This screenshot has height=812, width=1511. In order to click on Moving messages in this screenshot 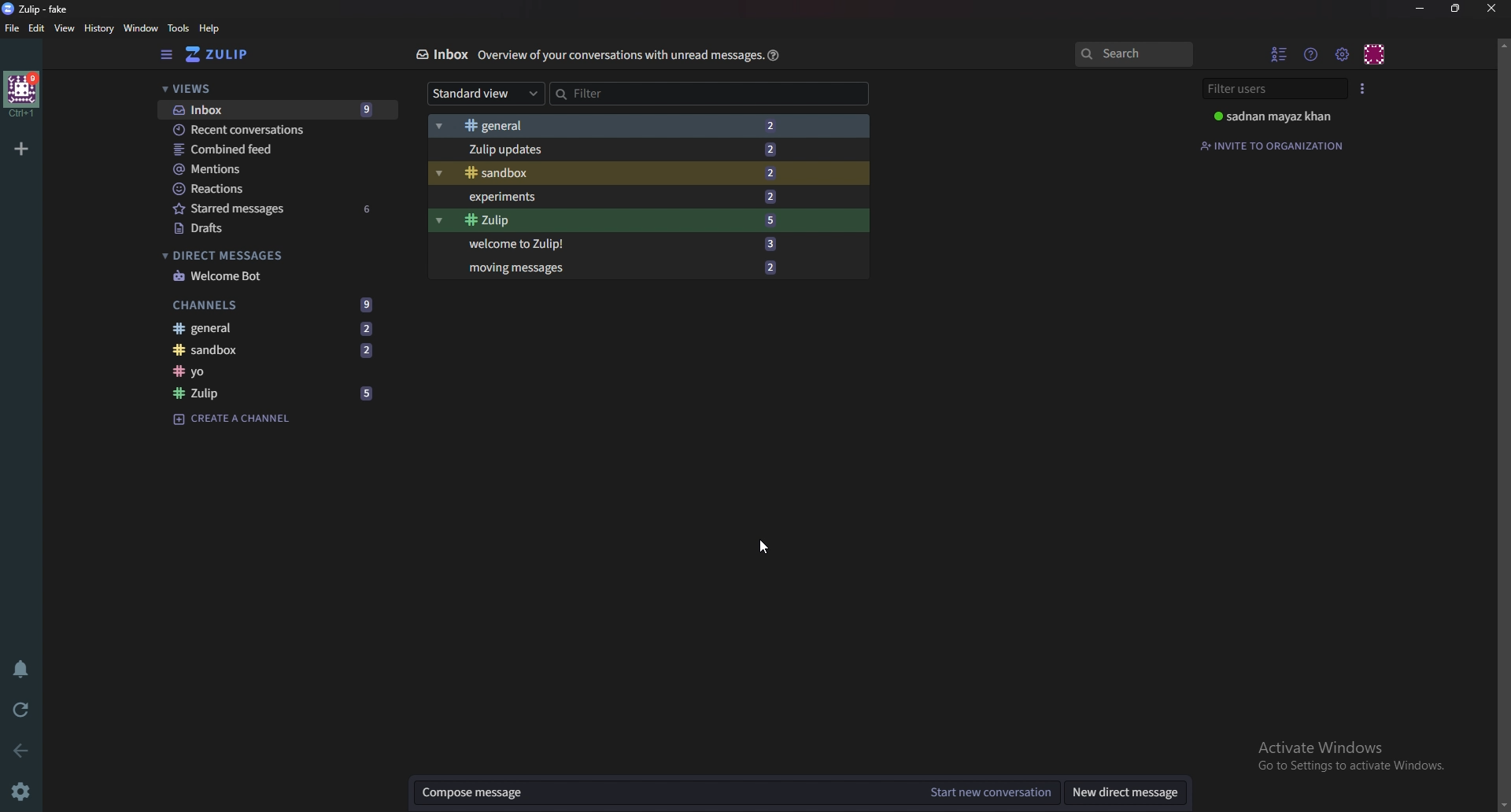, I will do `click(649, 268)`.